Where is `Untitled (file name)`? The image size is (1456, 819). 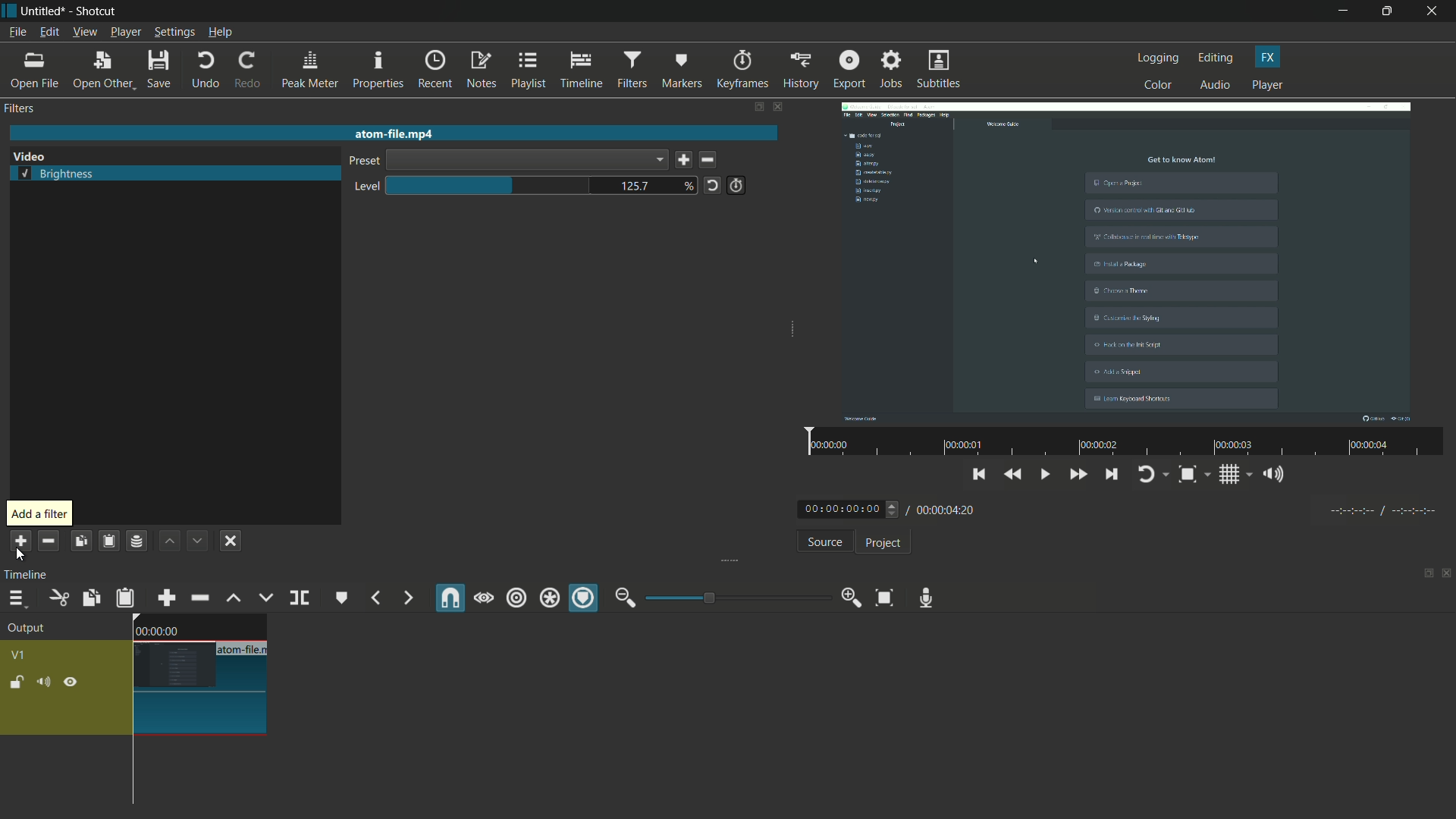 Untitled (file name) is located at coordinates (46, 11).